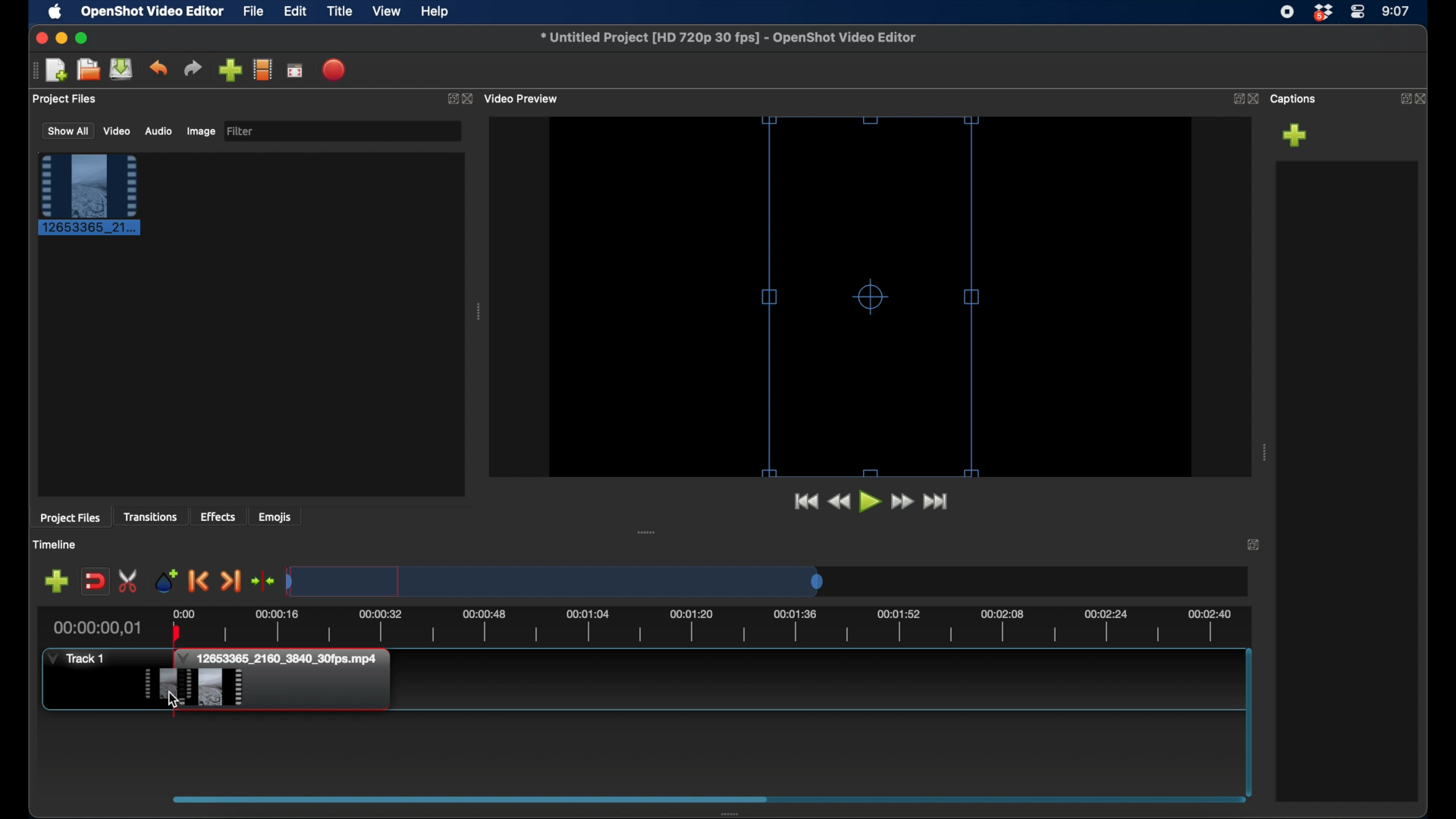 The width and height of the screenshot is (1456, 819). Describe the element at coordinates (171, 671) in the screenshot. I see `plahead` at that location.